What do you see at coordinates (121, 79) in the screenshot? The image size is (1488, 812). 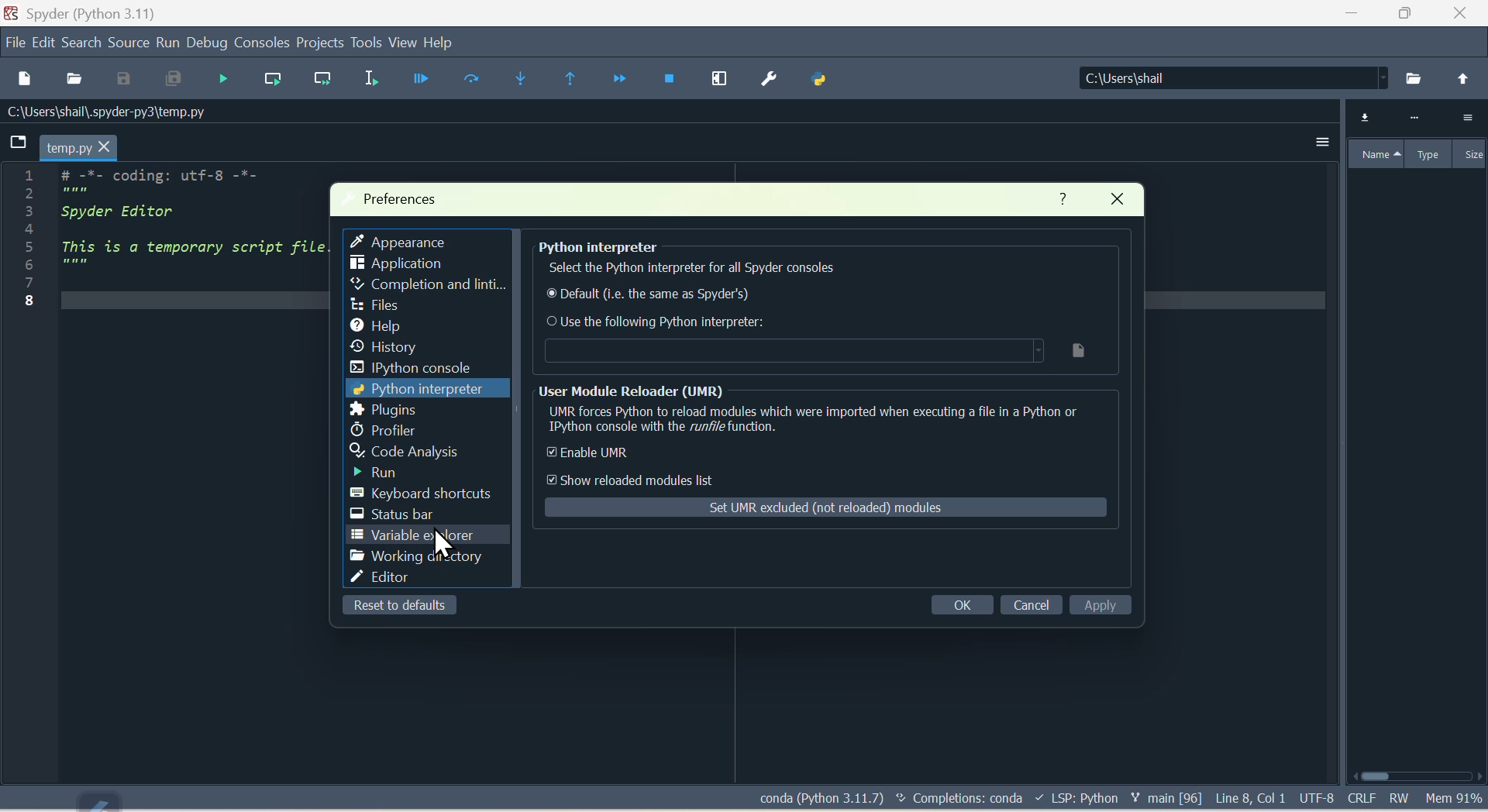 I see `Save as` at bounding box center [121, 79].